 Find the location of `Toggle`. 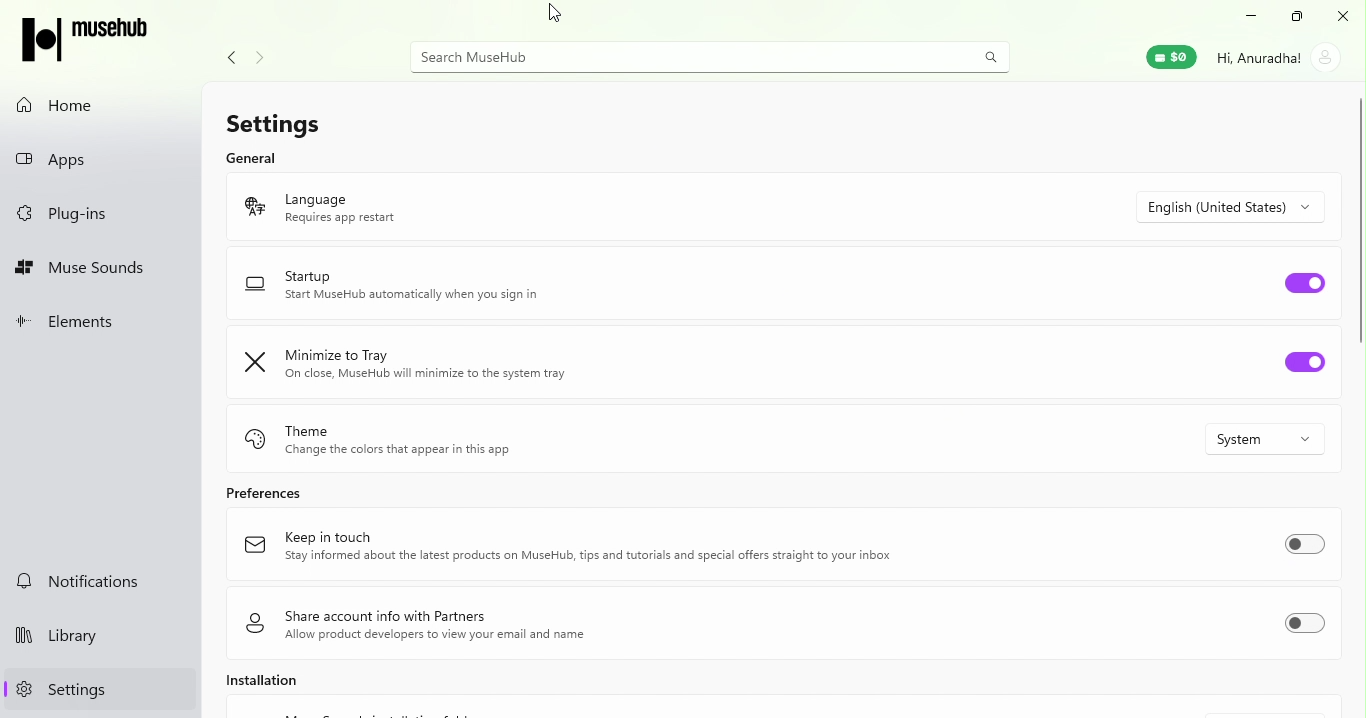

Toggle is located at coordinates (1307, 628).